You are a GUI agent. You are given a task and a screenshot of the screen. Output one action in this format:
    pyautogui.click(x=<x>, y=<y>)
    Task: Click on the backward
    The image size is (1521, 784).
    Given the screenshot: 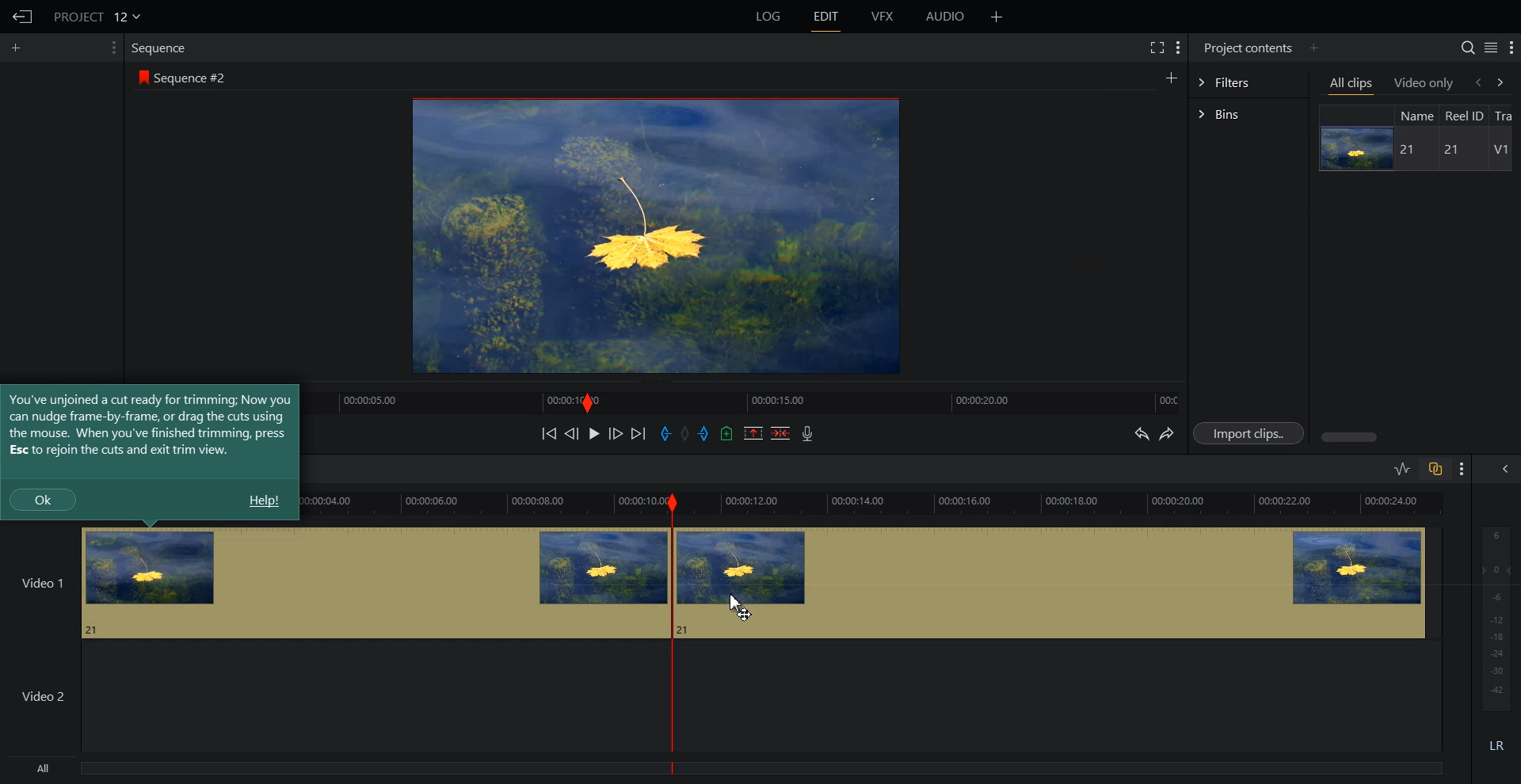 What is the action you would take?
    pyautogui.click(x=1477, y=82)
    